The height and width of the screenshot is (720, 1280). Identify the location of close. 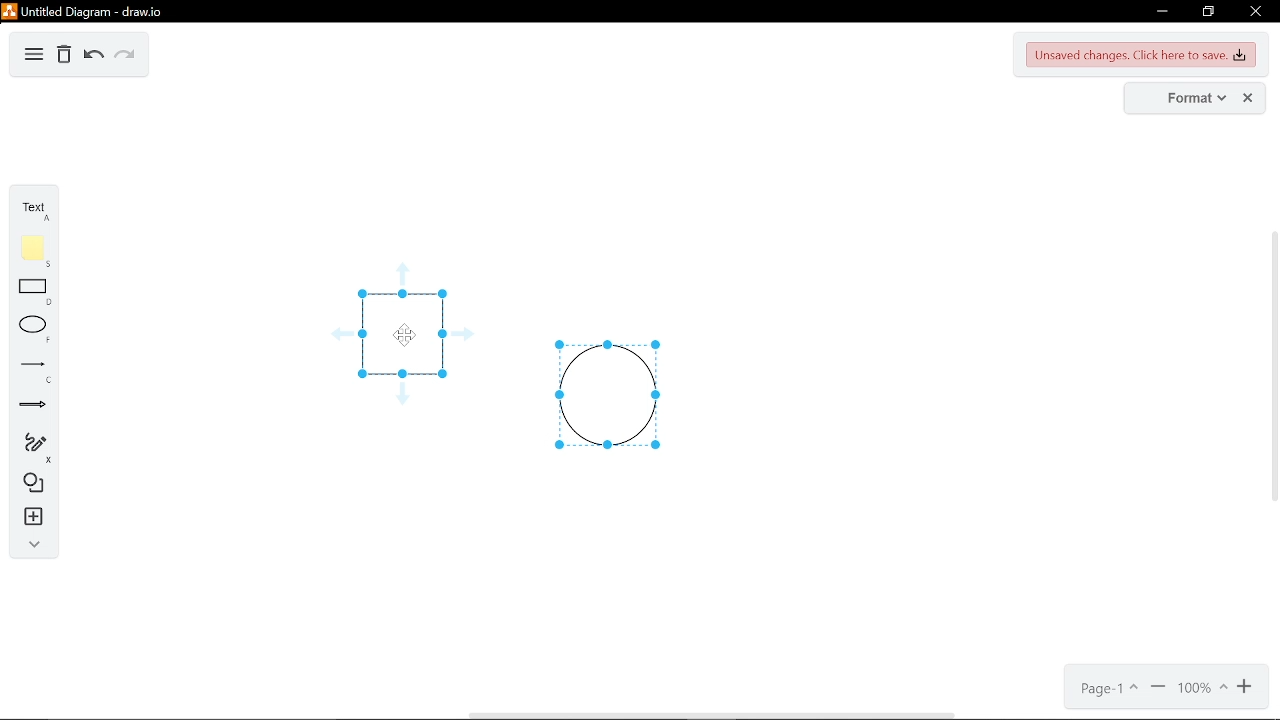
(1257, 13).